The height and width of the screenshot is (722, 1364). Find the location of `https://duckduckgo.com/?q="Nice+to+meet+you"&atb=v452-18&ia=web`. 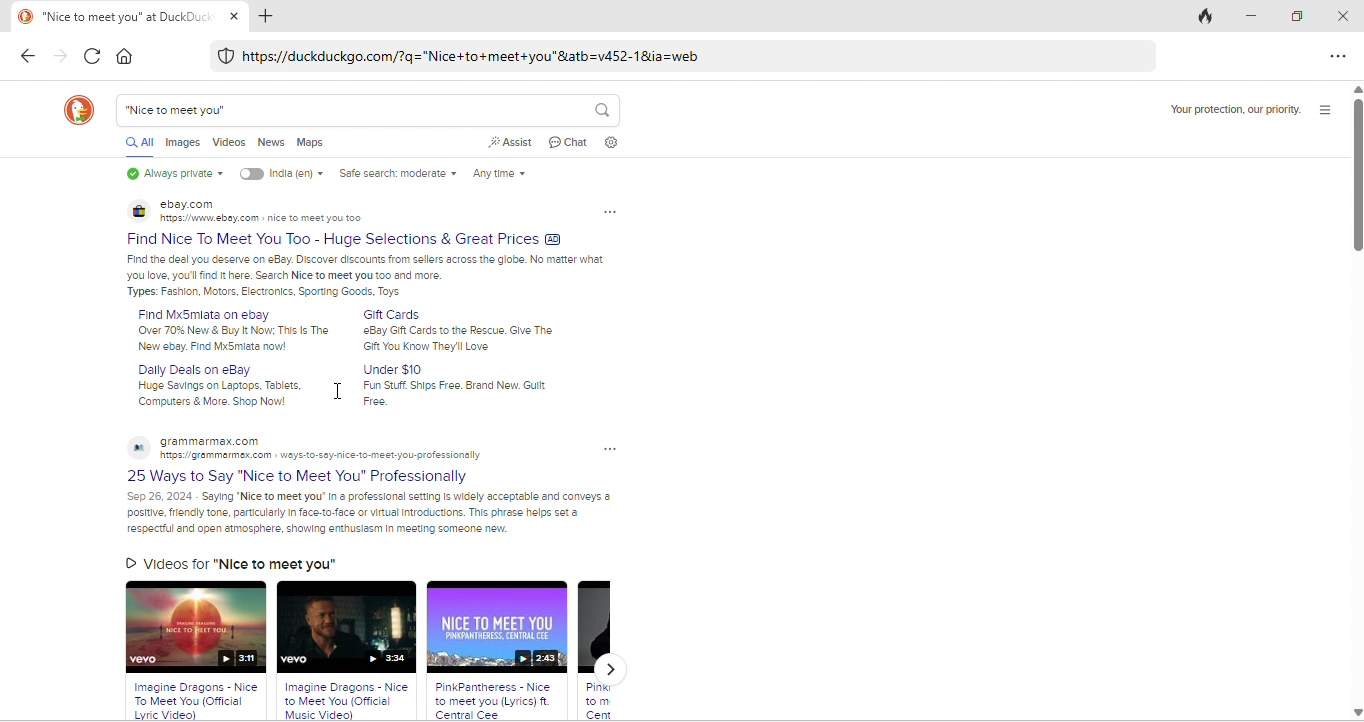

https://duckduckgo.com/?q="Nice+to+meet+you"&atb=v452-18&ia=web is located at coordinates (473, 56).